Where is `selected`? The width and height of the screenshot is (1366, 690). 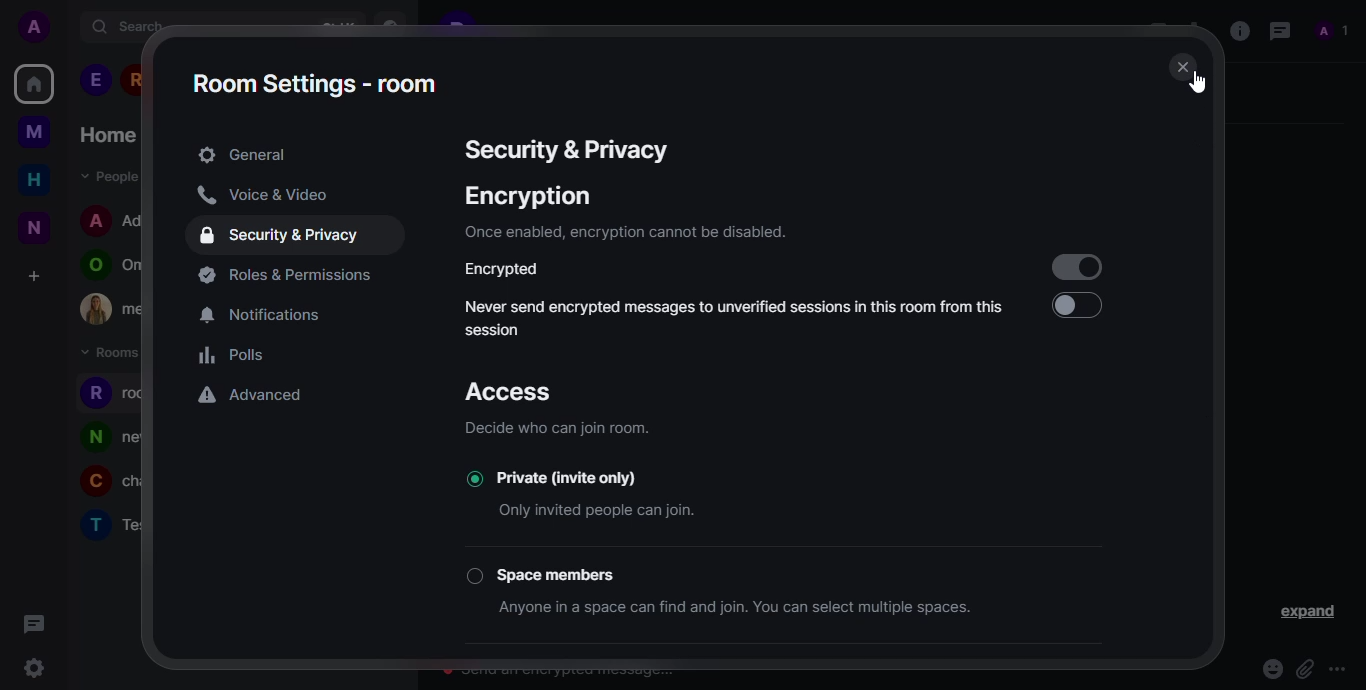 selected is located at coordinates (470, 478).